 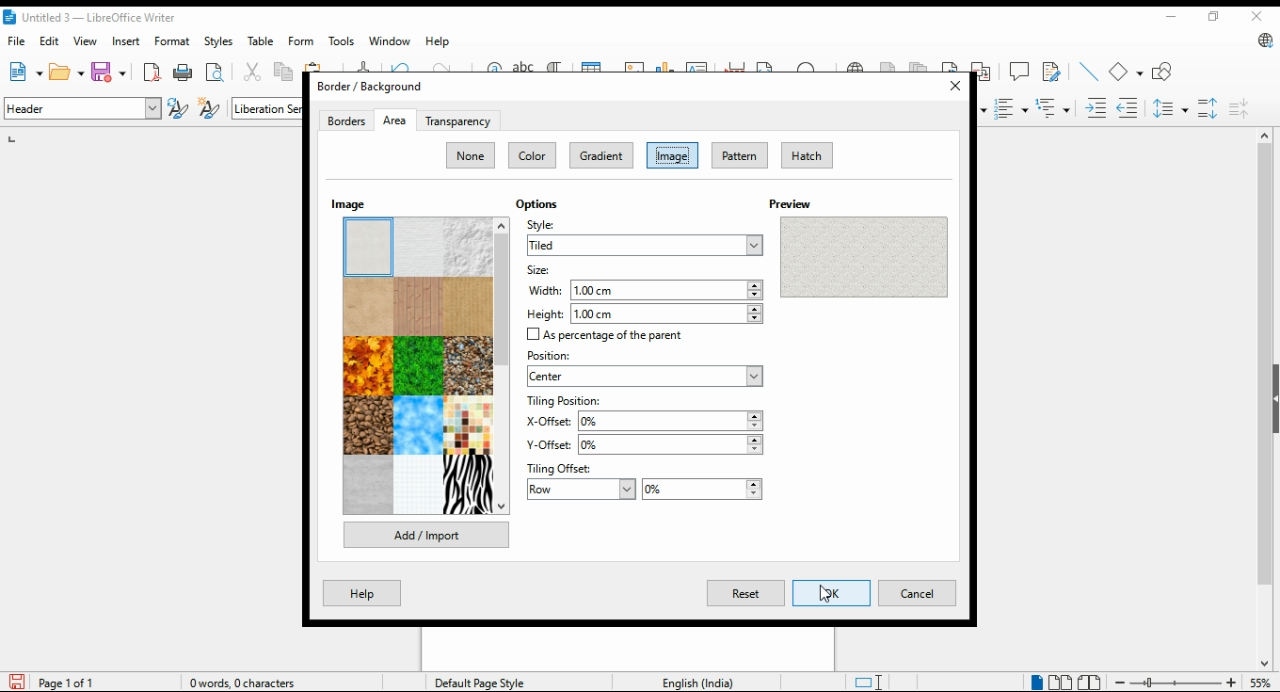 What do you see at coordinates (322, 66) in the screenshot?
I see `paste` at bounding box center [322, 66].